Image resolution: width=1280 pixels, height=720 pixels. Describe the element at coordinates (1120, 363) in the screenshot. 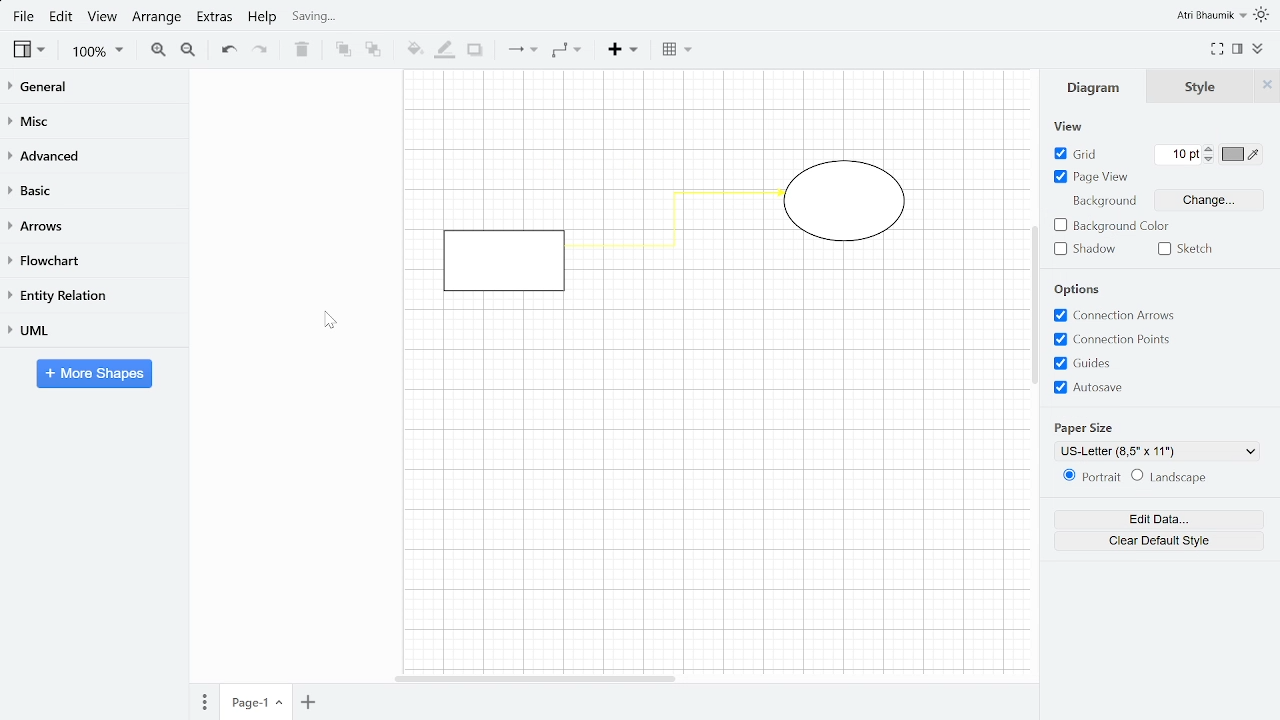

I see `Guides` at that location.